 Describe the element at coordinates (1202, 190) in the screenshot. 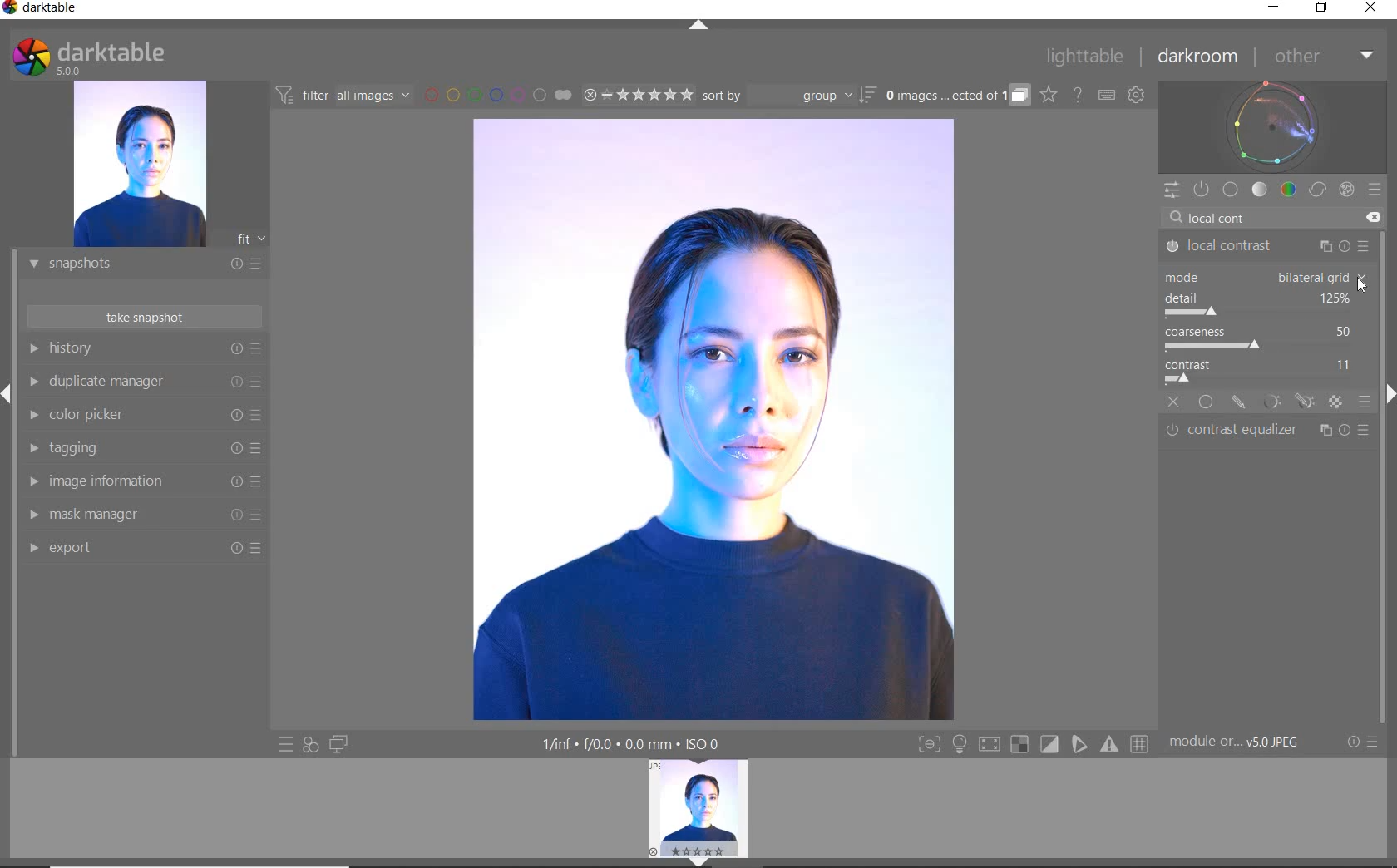

I see `SHOW ONLY ACTIVE MODULES` at that location.